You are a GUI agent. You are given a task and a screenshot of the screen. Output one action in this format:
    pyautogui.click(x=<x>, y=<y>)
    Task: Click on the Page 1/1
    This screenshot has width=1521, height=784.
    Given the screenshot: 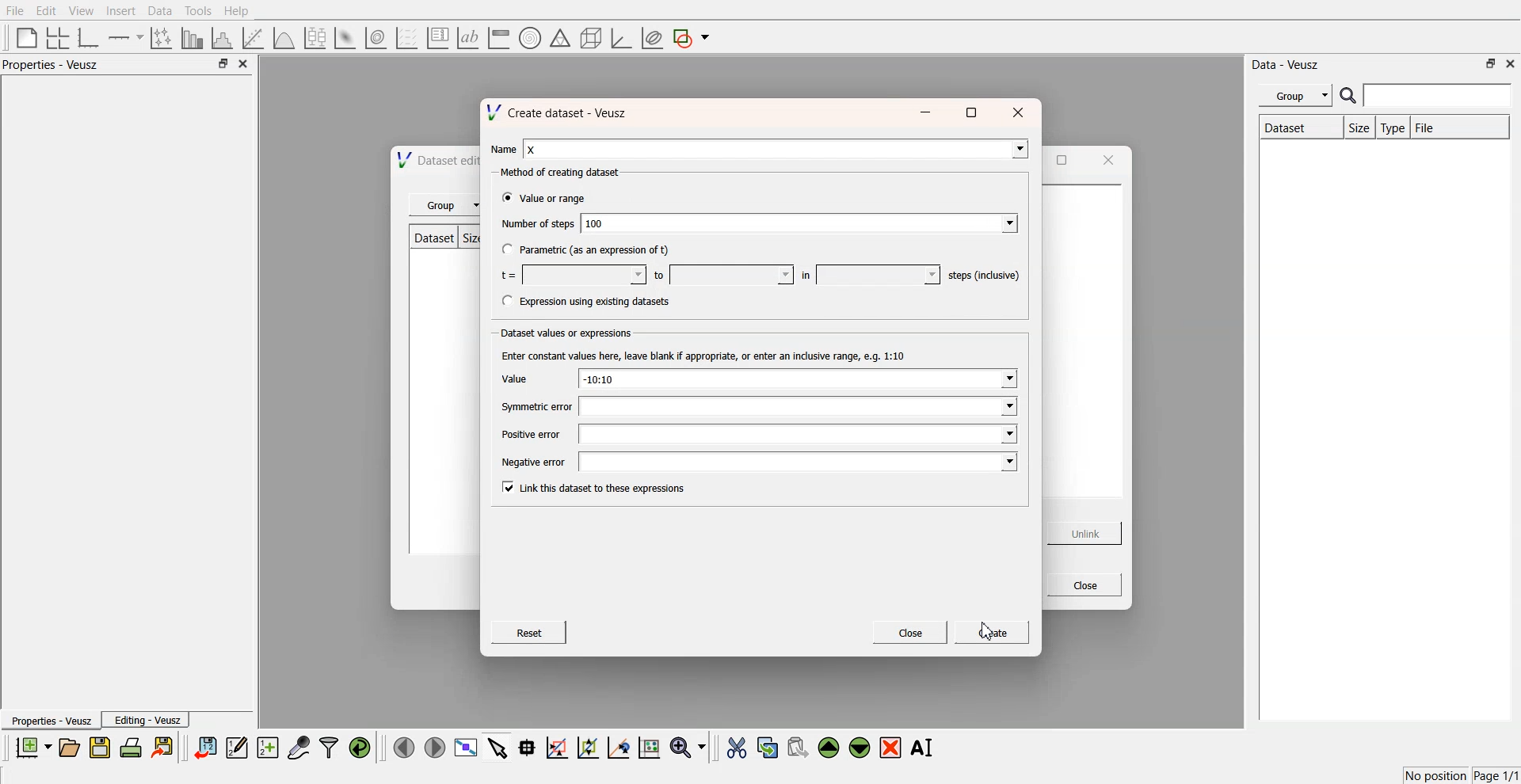 What is the action you would take?
    pyautogui.click(x=1497, y=776)
    